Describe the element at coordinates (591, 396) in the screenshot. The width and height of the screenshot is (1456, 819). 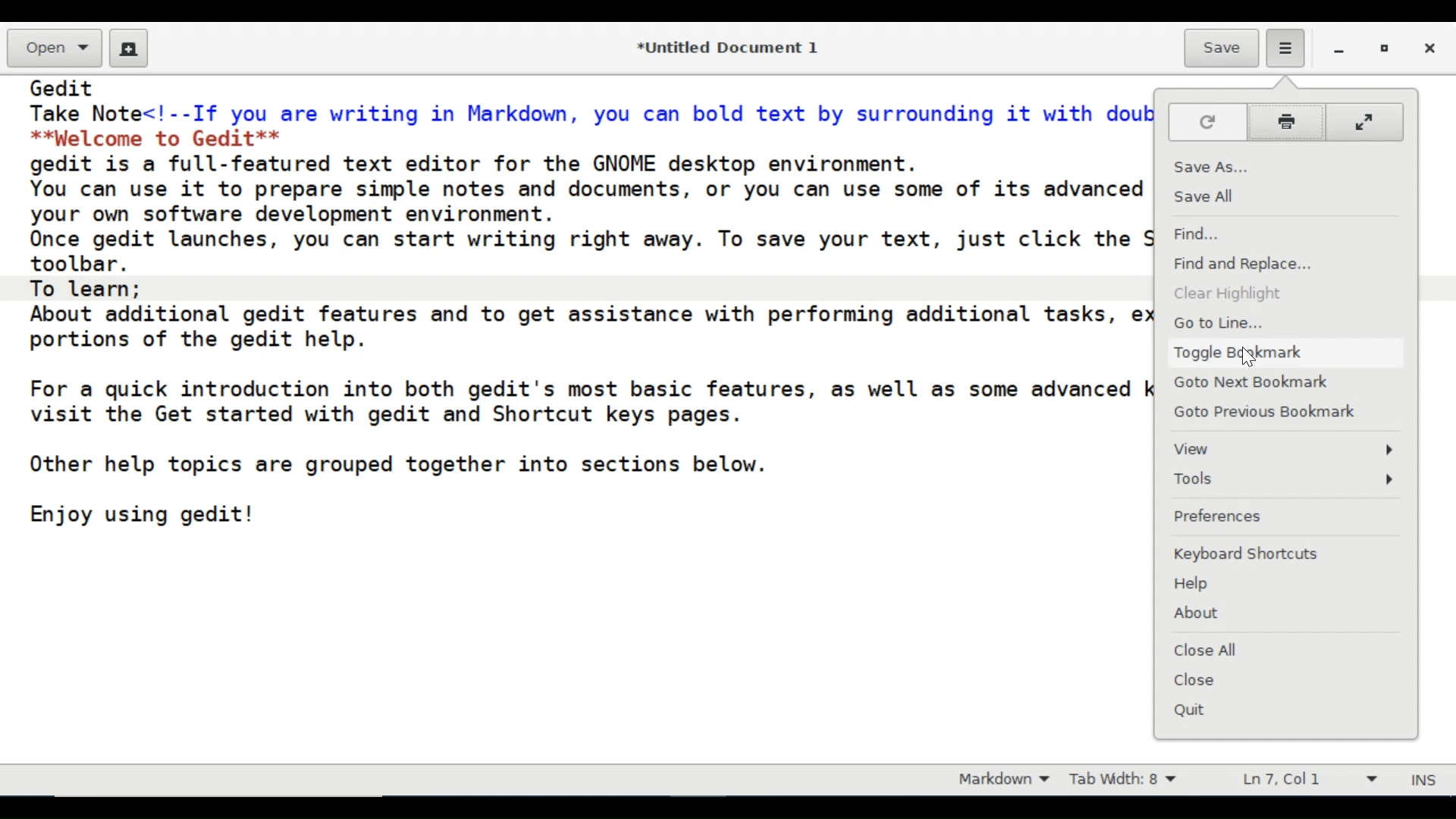
I see `For a quick introduction into both gedit's most basic features, as well as some advanced keyboard shortcuts,
visit the Get started with gedit and Shortcut keys pages.` at that location.